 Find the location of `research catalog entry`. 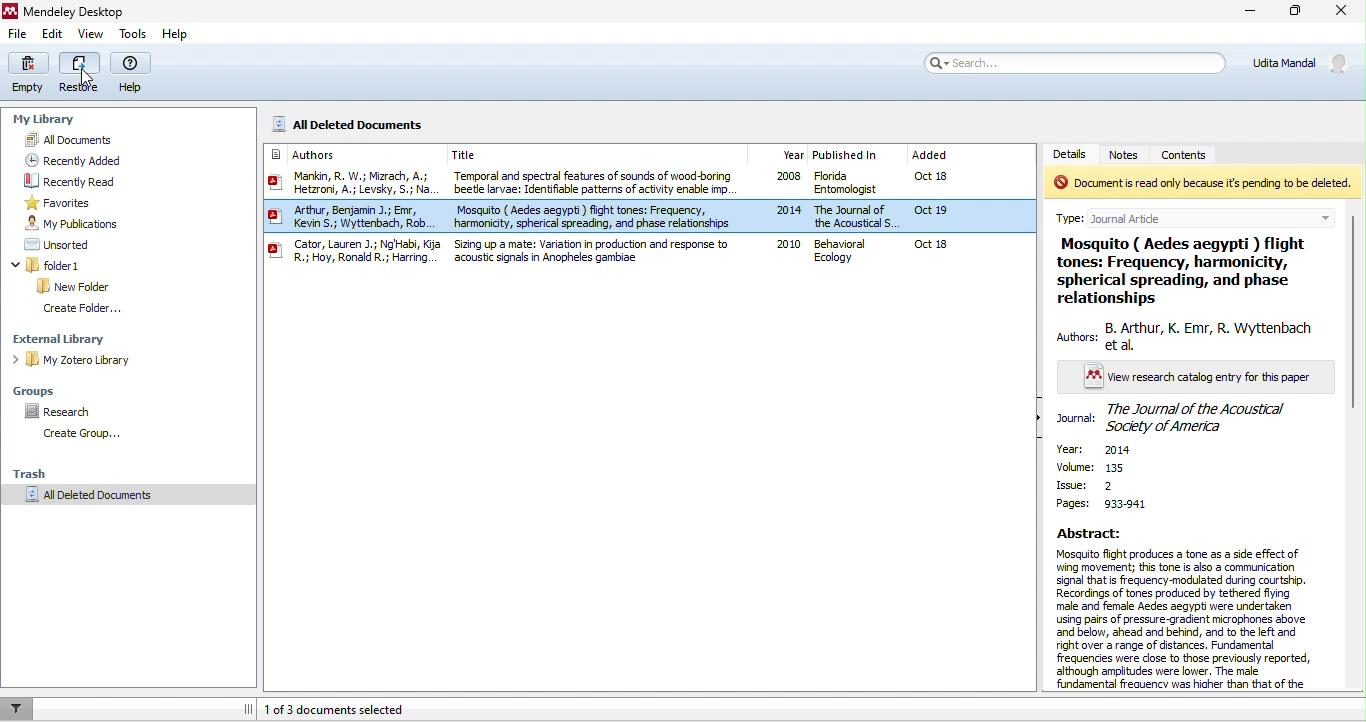

research catalog entry is located at coordinates (1188, 378).